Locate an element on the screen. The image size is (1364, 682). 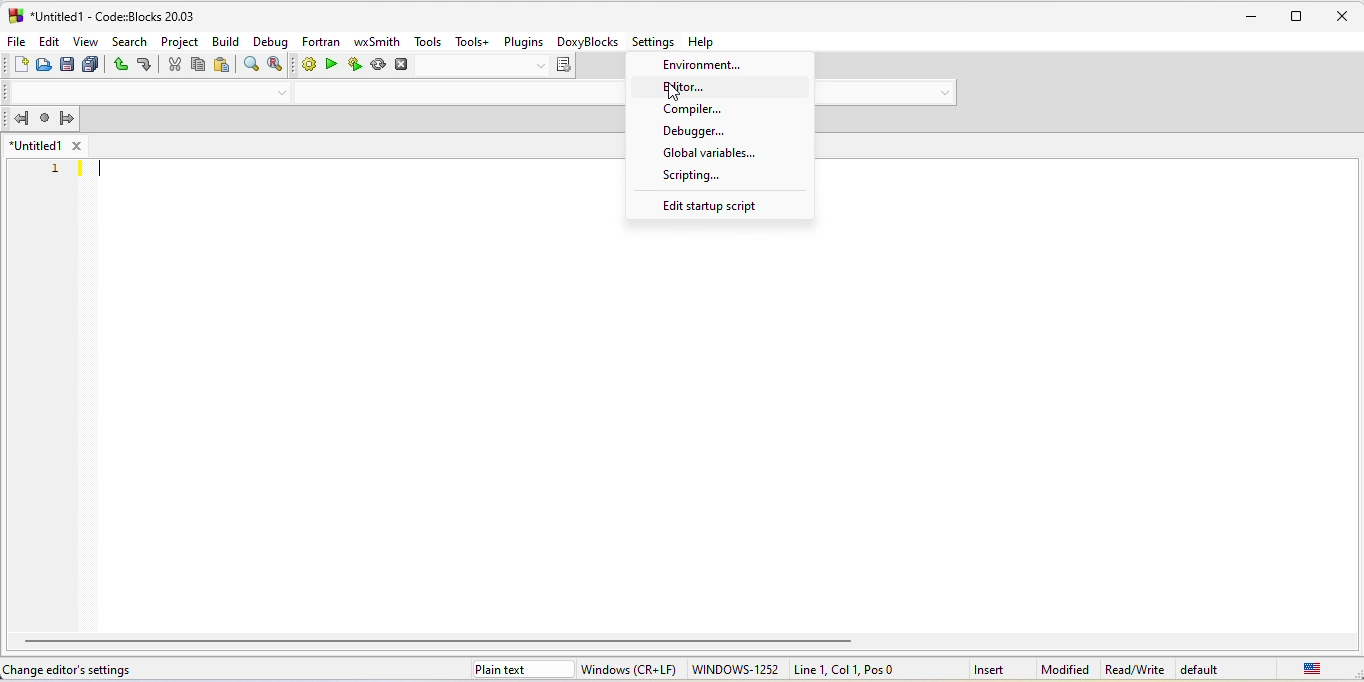
last jump is located at coordinates (45, 117).